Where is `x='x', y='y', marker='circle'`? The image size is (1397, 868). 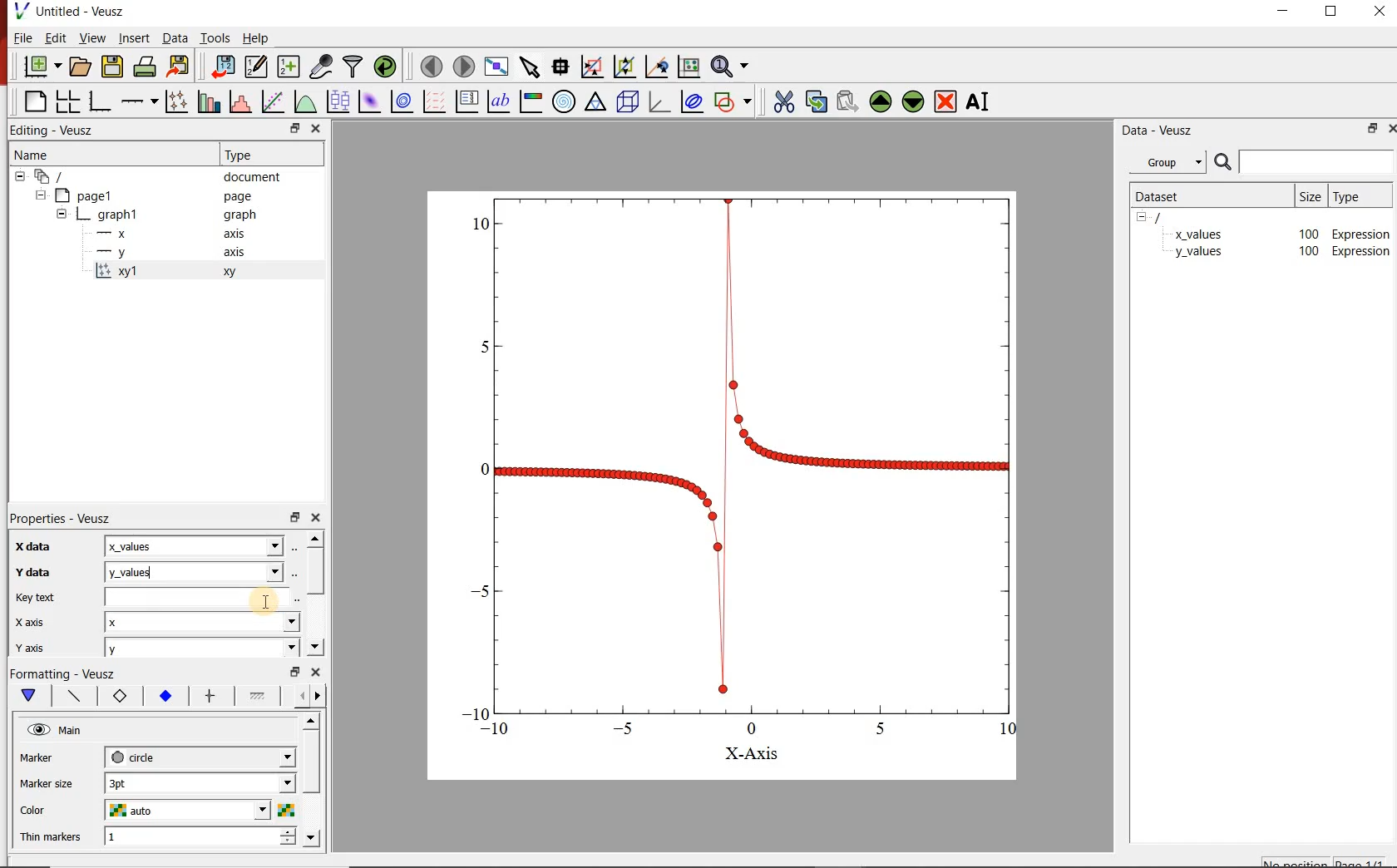 x='x', y='y', marker='circle' is located at coordinates (116, 273).